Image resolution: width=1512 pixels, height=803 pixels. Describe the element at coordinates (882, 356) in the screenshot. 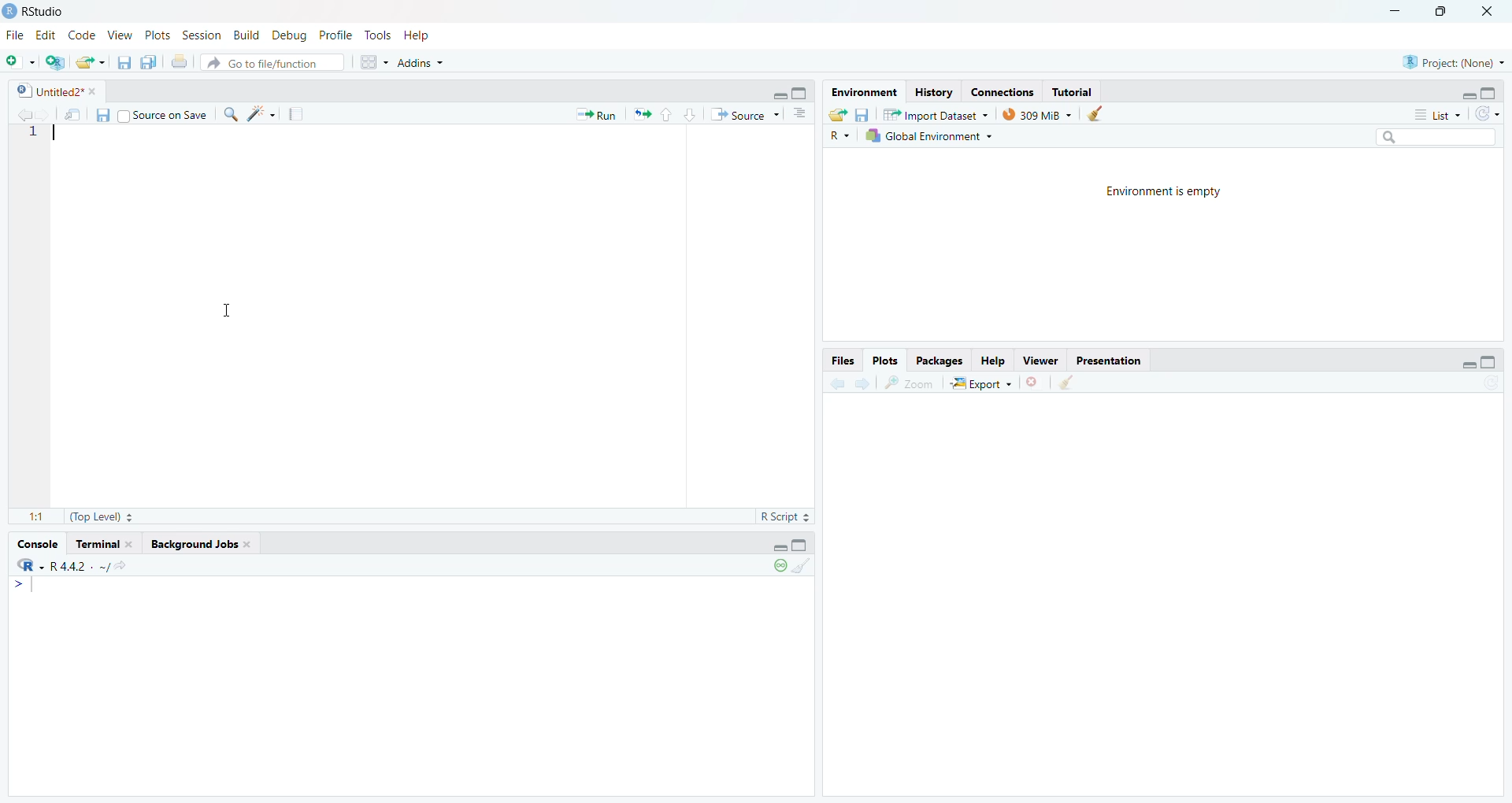

I see `Plots` at that location.